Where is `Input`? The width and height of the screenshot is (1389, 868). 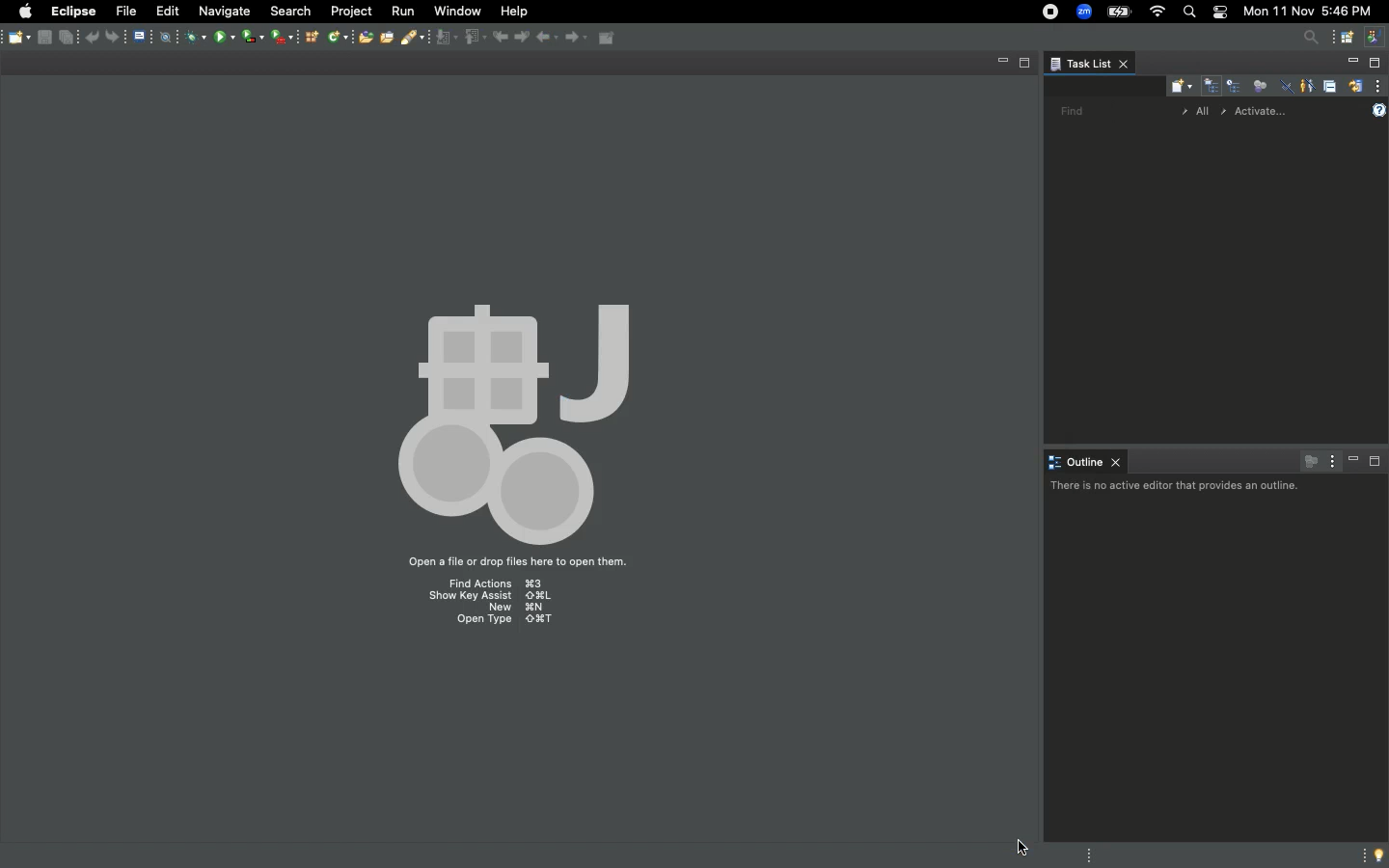 Input is located at coordinates (475, 38).